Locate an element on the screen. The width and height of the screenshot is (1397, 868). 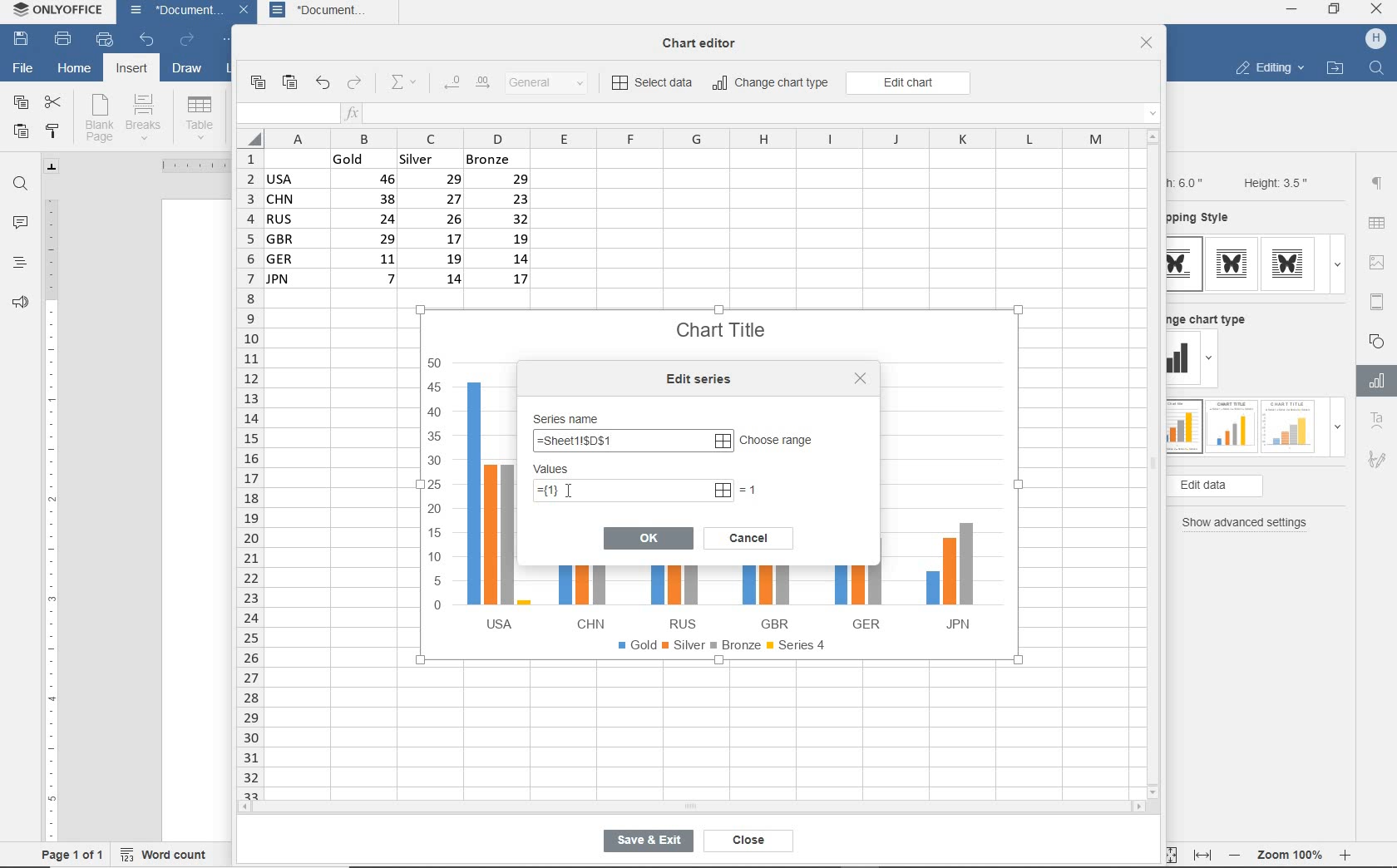
zoom out is located at coordinates (1237, 855).